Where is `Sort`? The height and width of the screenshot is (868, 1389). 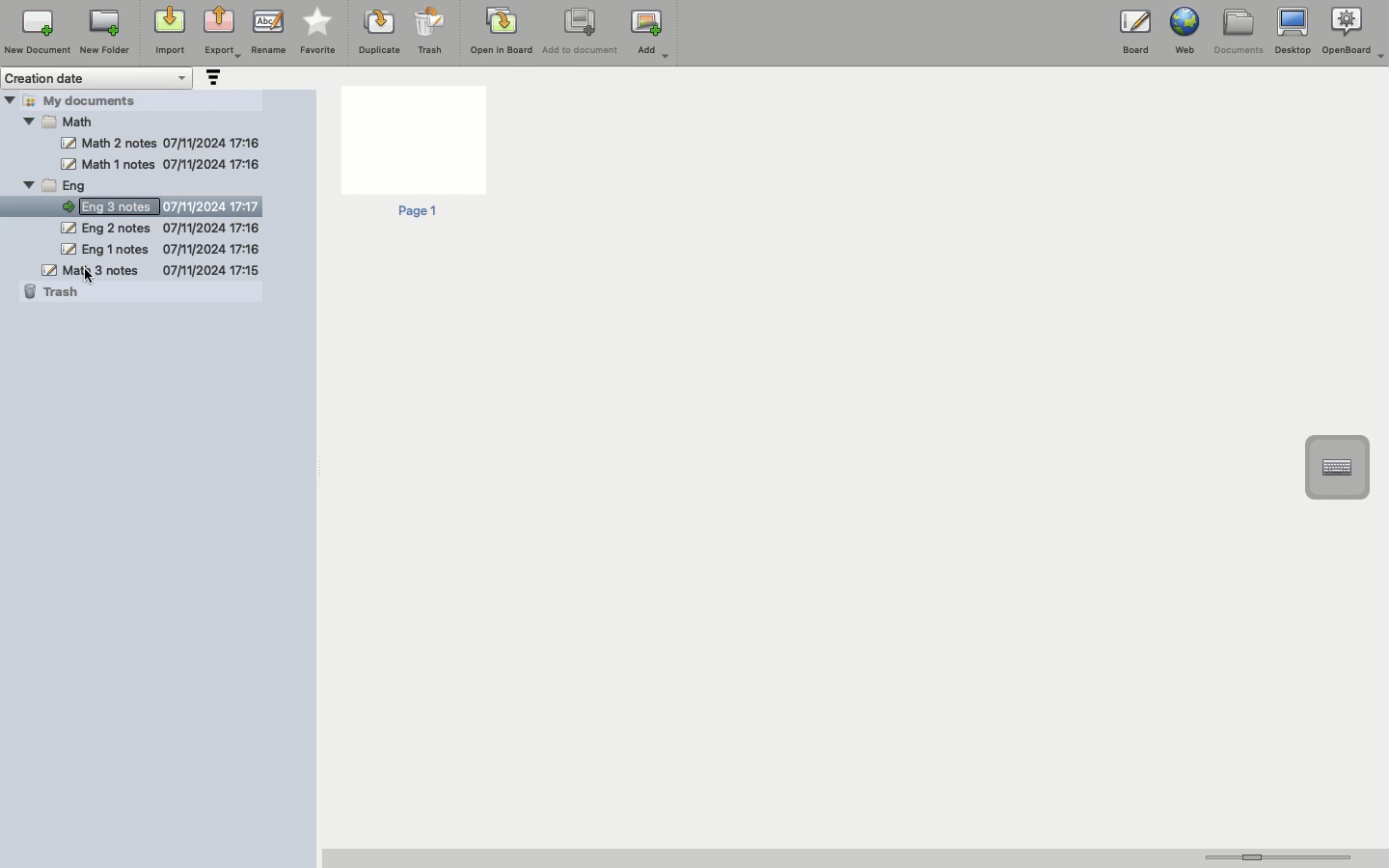 Sort is located at coordinates (211, 79).